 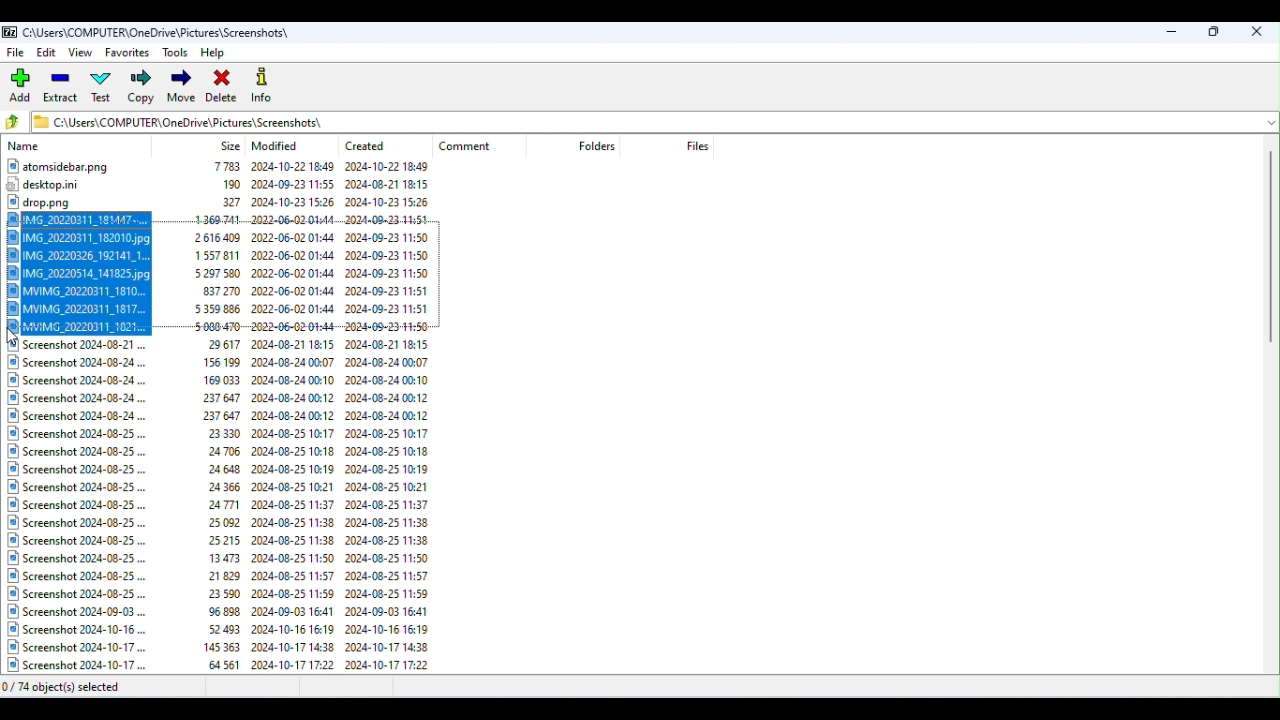 What do you see at coordinates (23, 86) in the screenshot?
I see `Add` at bounding box center [23, 86].